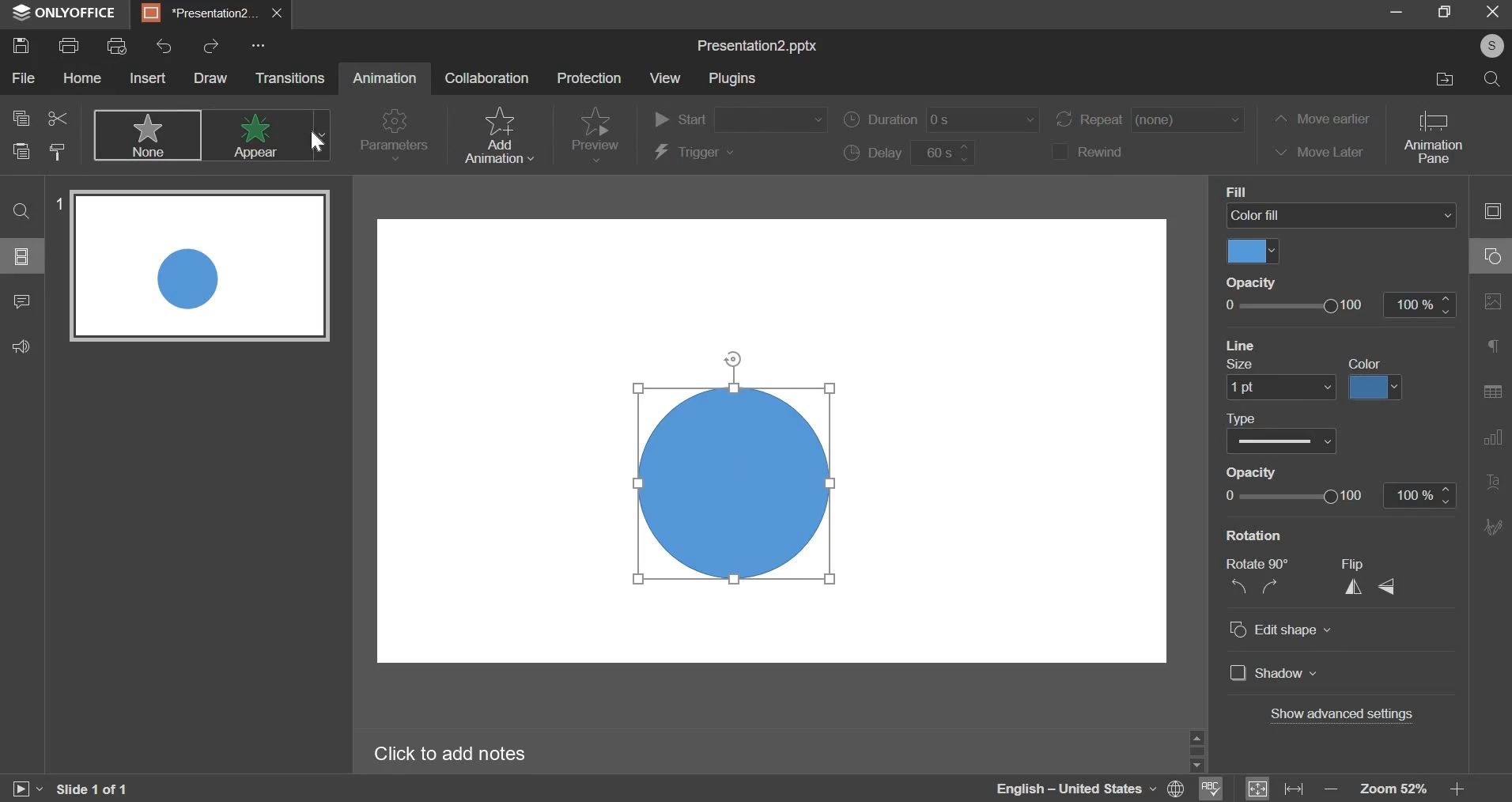  Describe the element at coordinates (1494, 79) in the screenshot. I see `search` at that location.